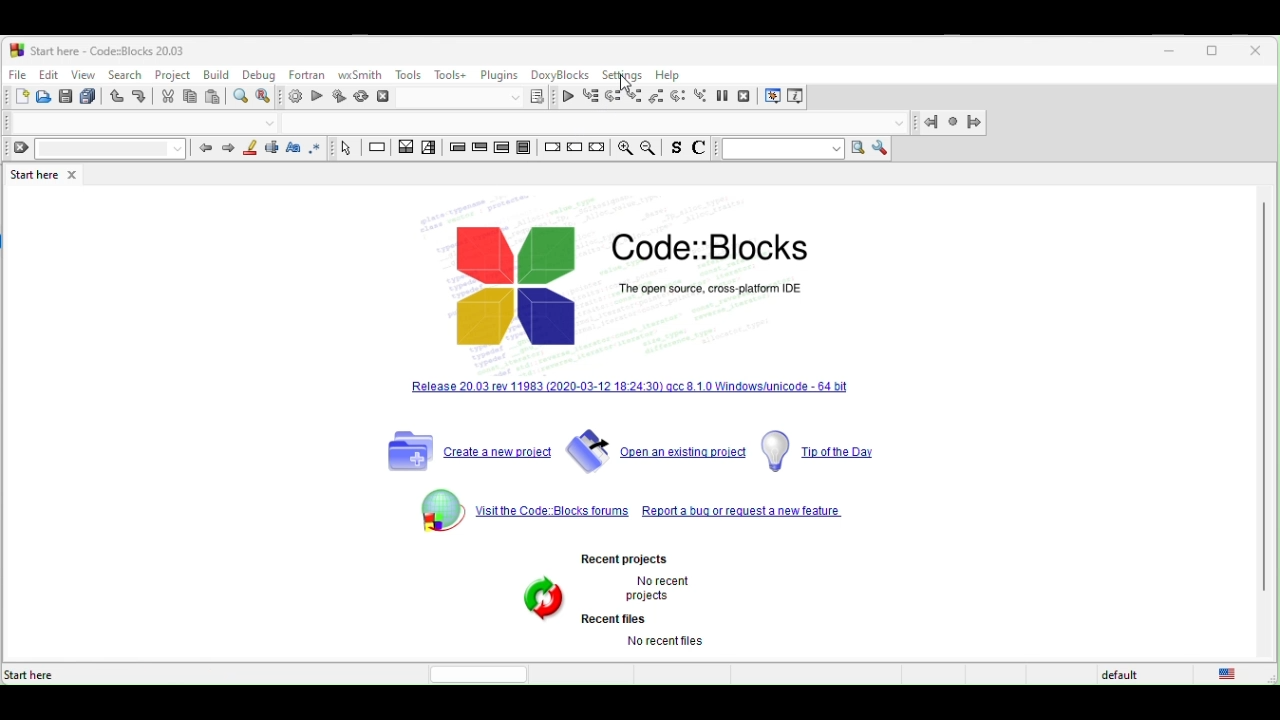  I want to click on decision, so click(406, 147).